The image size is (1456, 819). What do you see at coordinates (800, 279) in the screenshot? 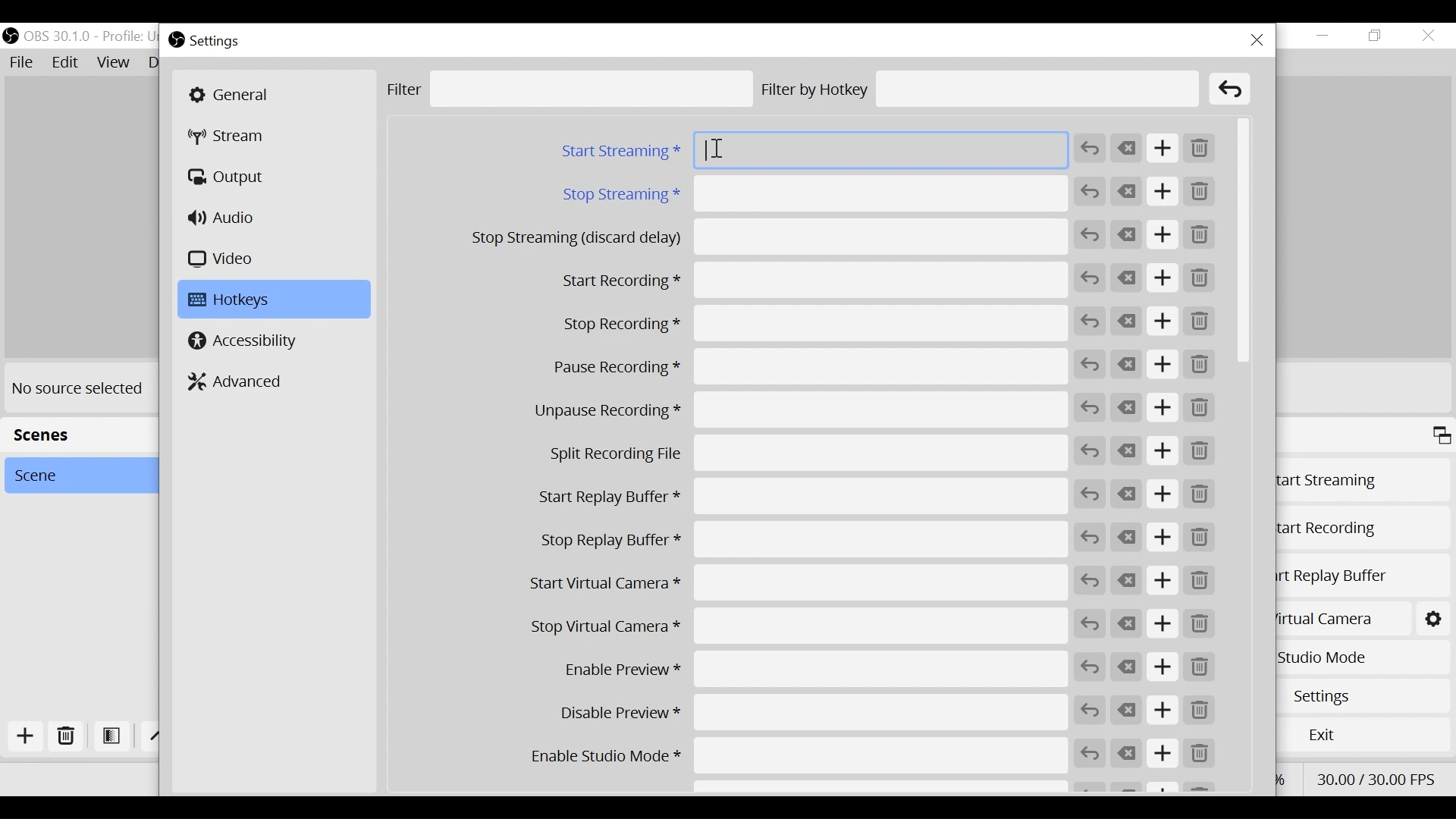
I see `Start Recording` at bounding box center [800, 279].